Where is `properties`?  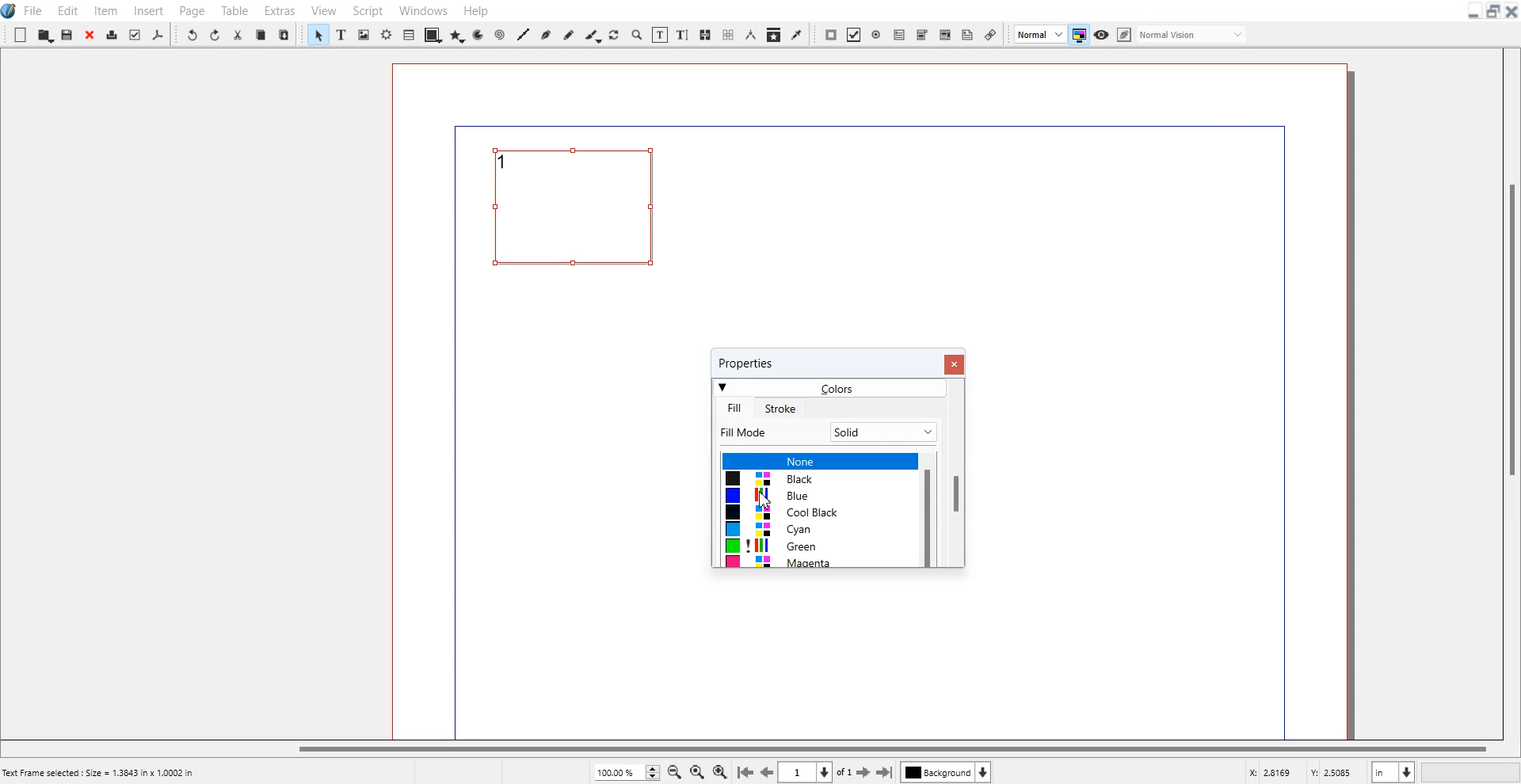
properties is located at coordinates (753, 363).